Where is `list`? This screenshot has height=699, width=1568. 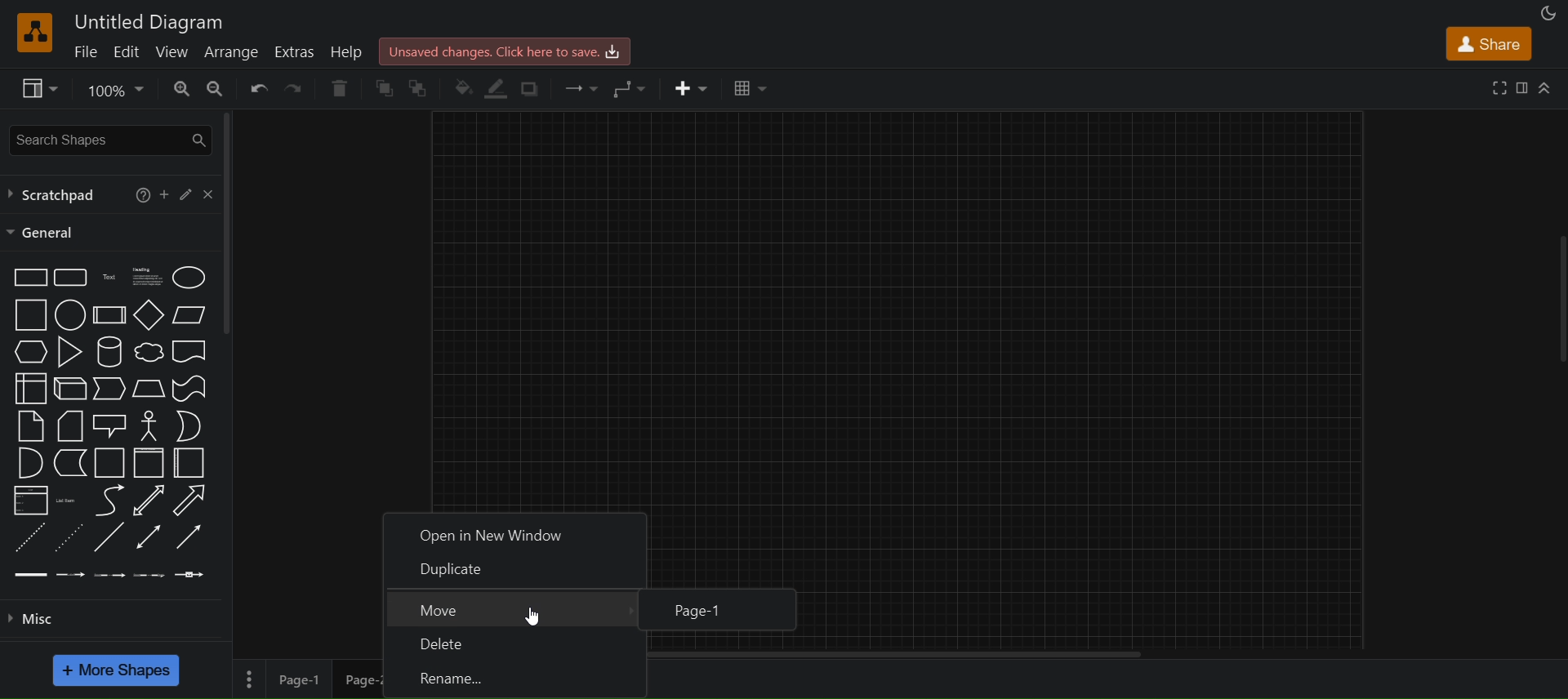 list is located at coordinates (29, 499).